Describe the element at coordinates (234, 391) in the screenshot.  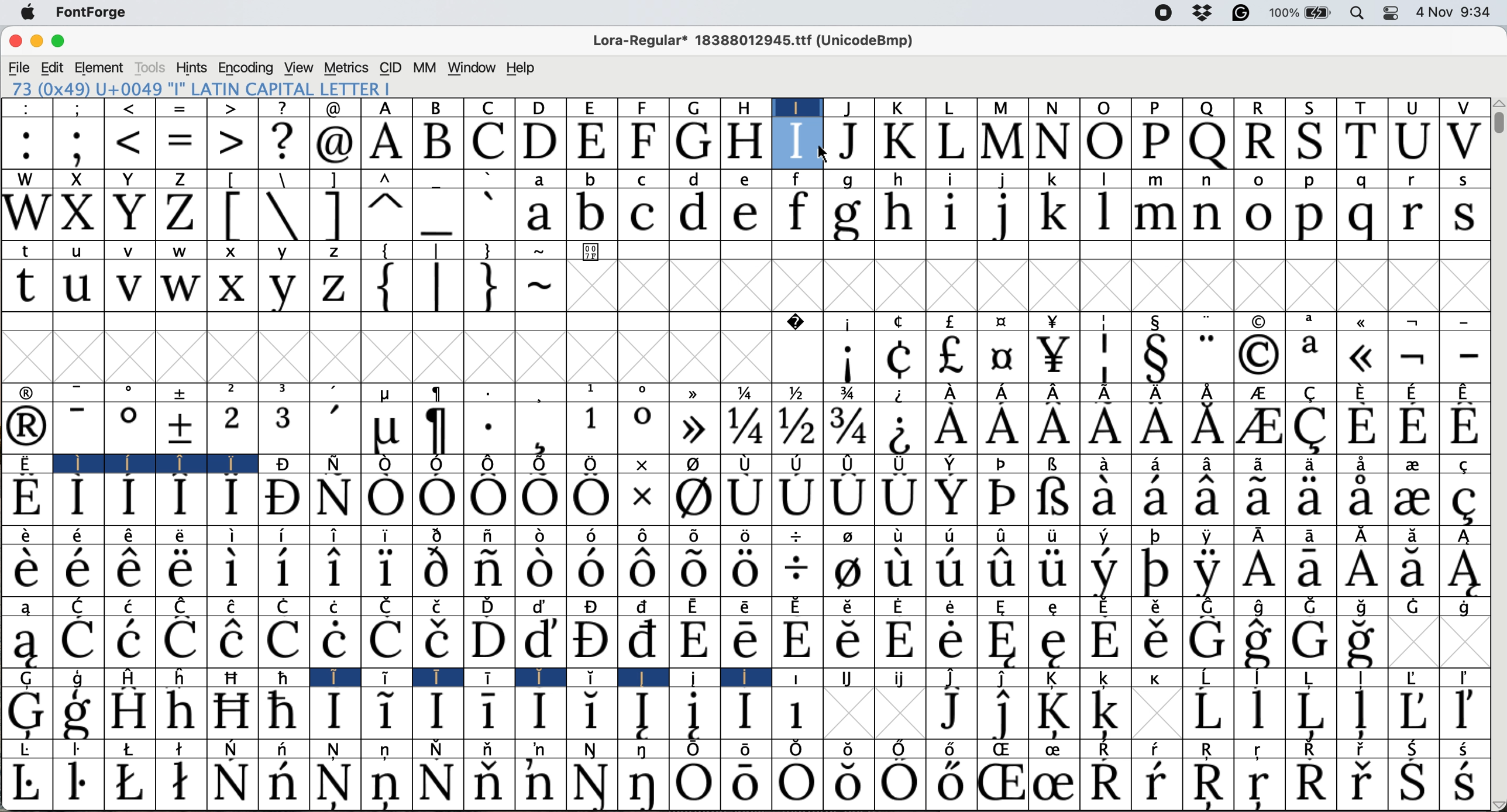
I see `2` at that location.